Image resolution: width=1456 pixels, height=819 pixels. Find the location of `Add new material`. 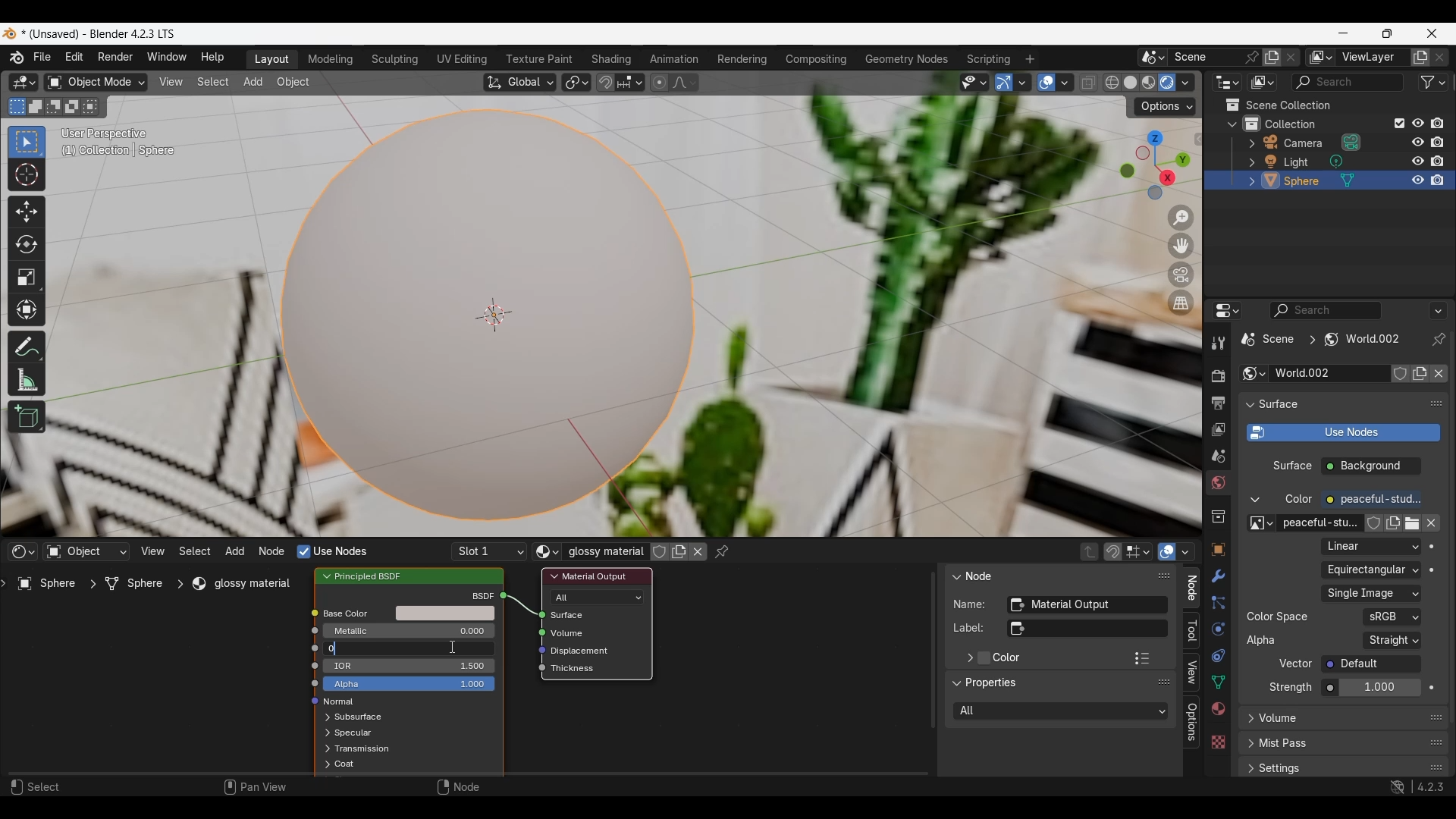

Add new material is located at coordinates (679, 551).